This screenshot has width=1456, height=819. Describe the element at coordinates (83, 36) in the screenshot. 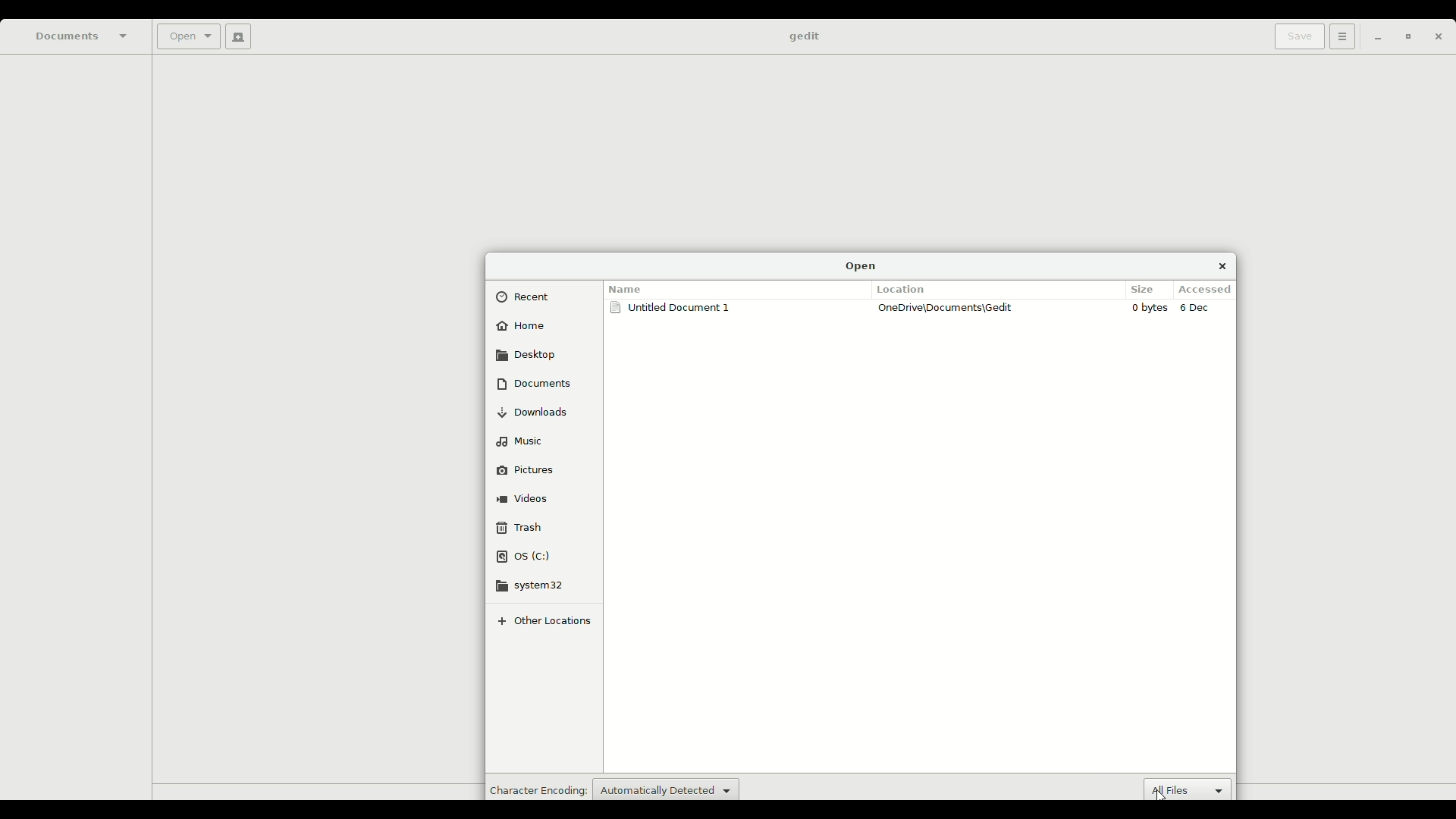

I see `Documents` at that location.